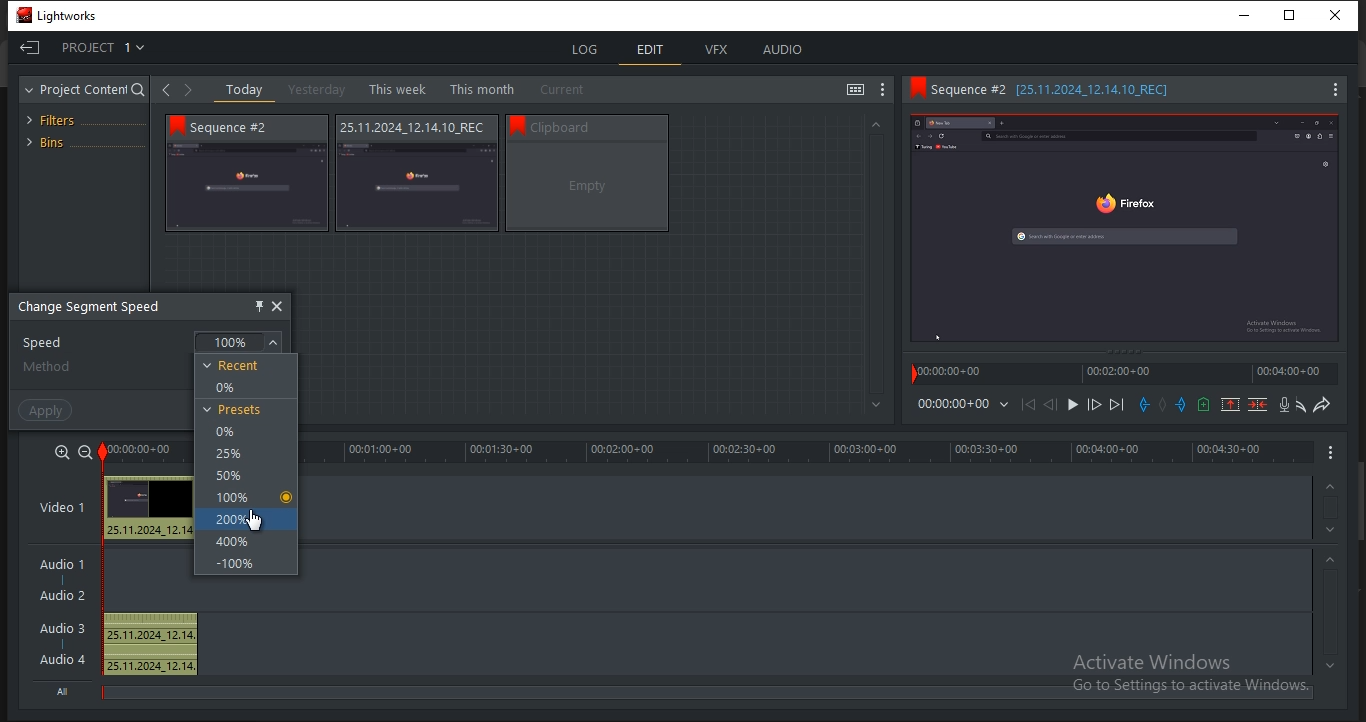 This screenshot has width=1366, height=722. Describe the element at coordinates (94, 306) in the screenshot. I see `change segment speed` at that location.